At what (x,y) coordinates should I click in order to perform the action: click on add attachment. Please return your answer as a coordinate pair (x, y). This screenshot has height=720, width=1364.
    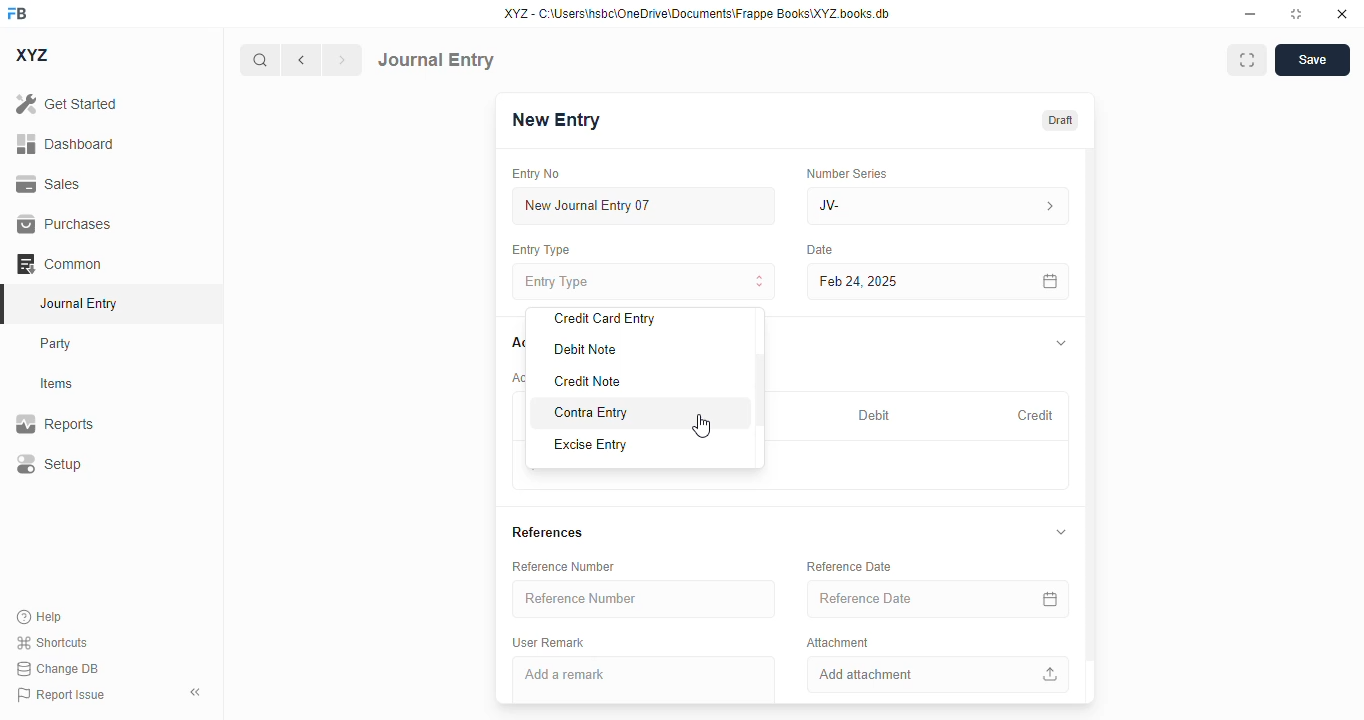
    Looking at the image, I should click on (937, 675).